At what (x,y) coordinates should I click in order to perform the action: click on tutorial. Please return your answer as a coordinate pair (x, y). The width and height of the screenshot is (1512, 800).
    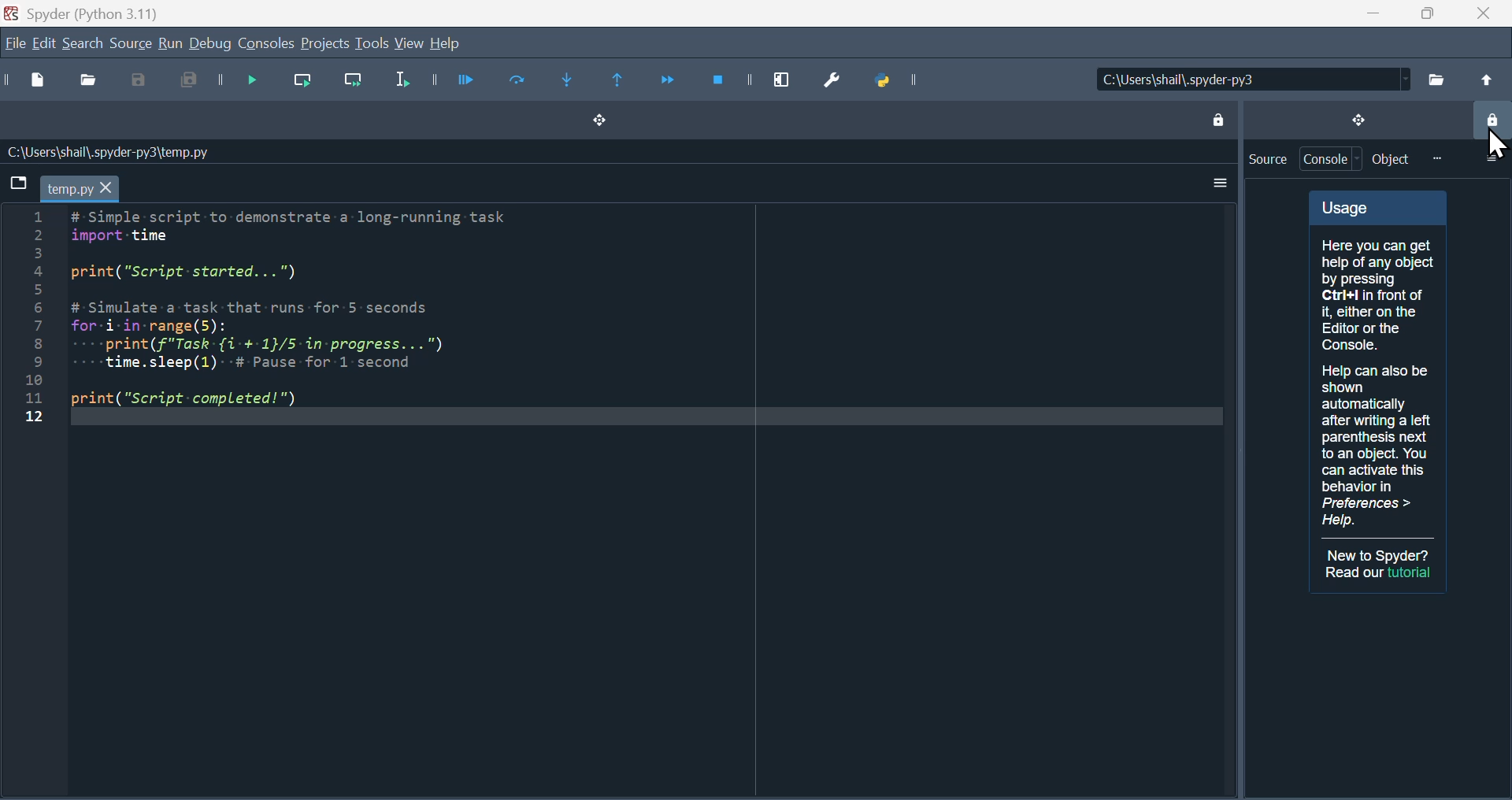
    Looking at the image, I should click on (1411, 572).